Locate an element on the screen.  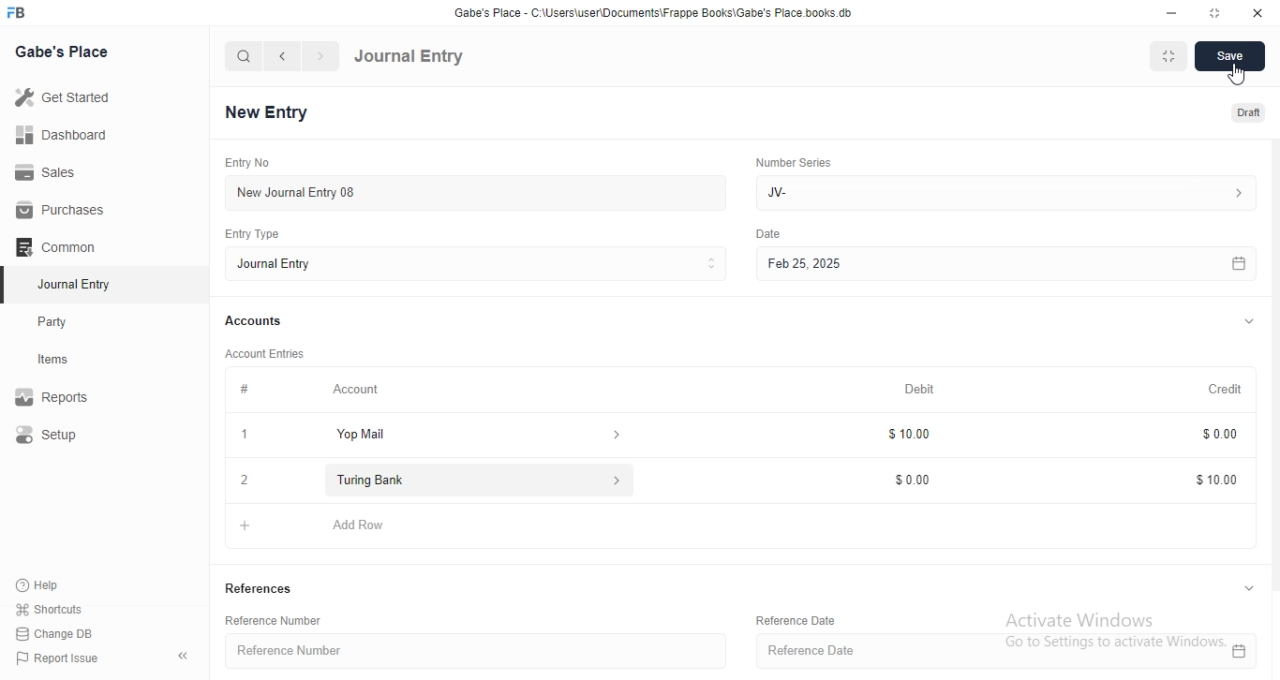
search is located at coordinates (244, 57).